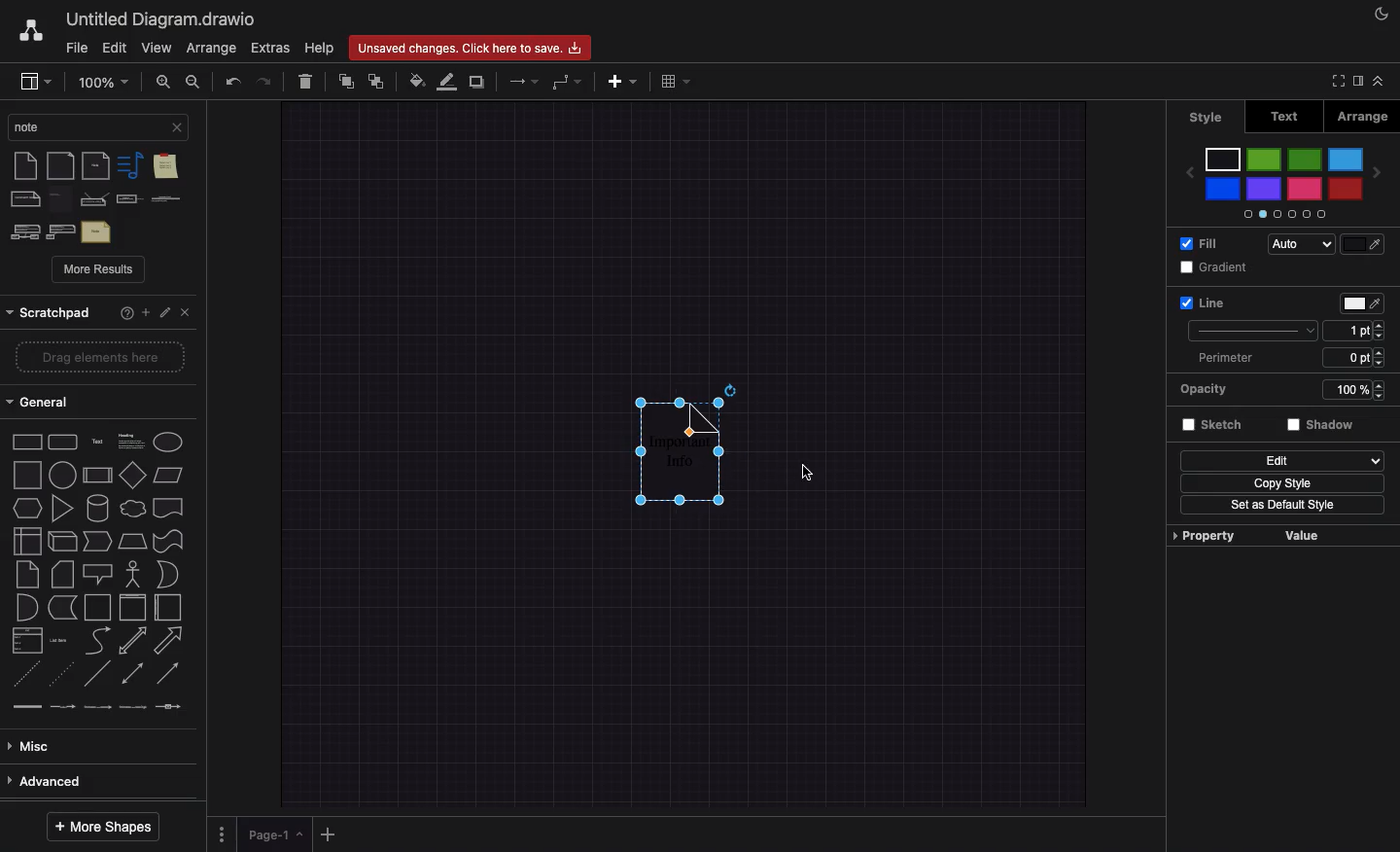 The image size is (1400, 852). I want to click on scratchpad, so click(50, 313).